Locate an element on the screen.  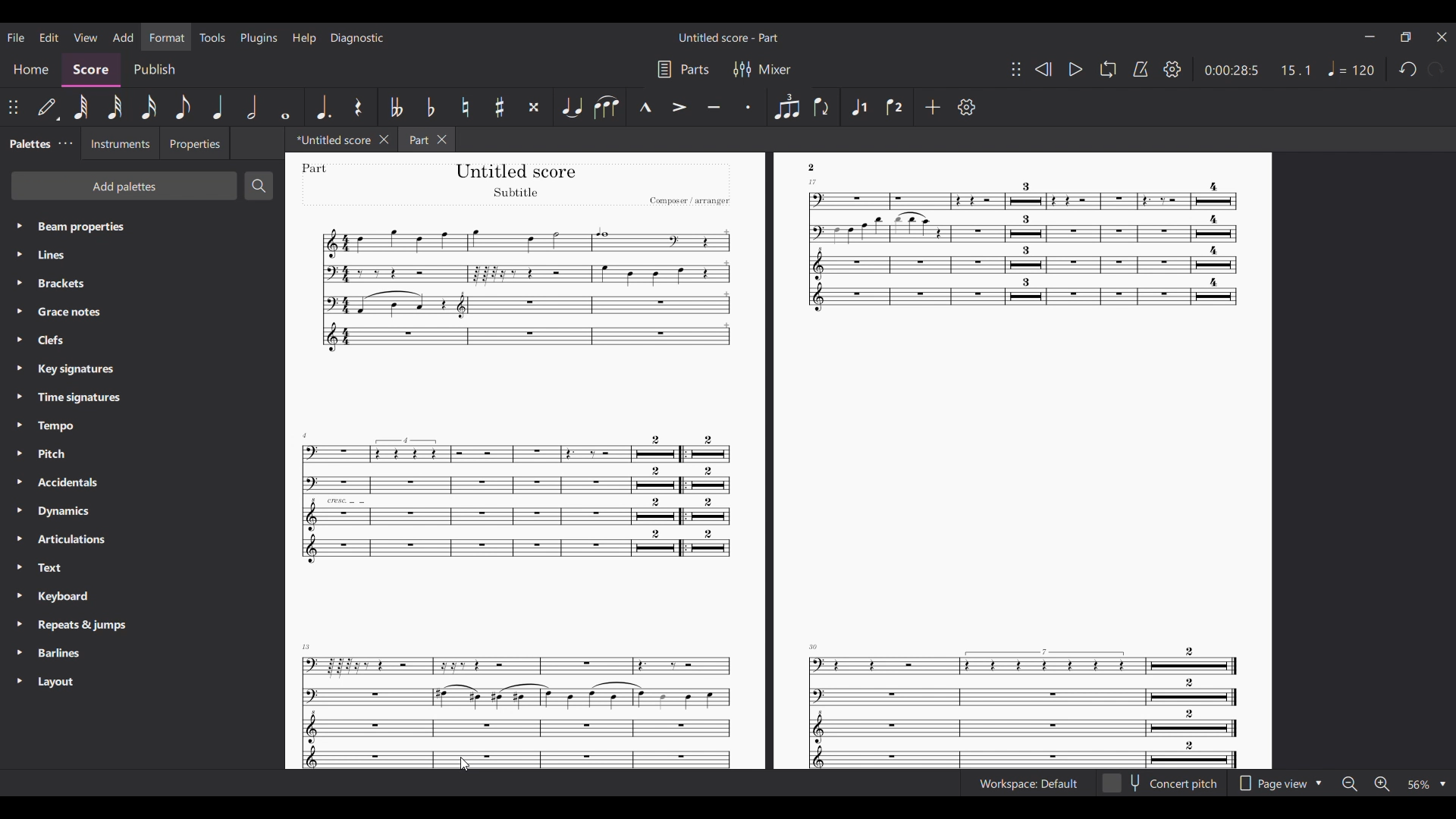
Accidentals is located at coordinates (68, 482).